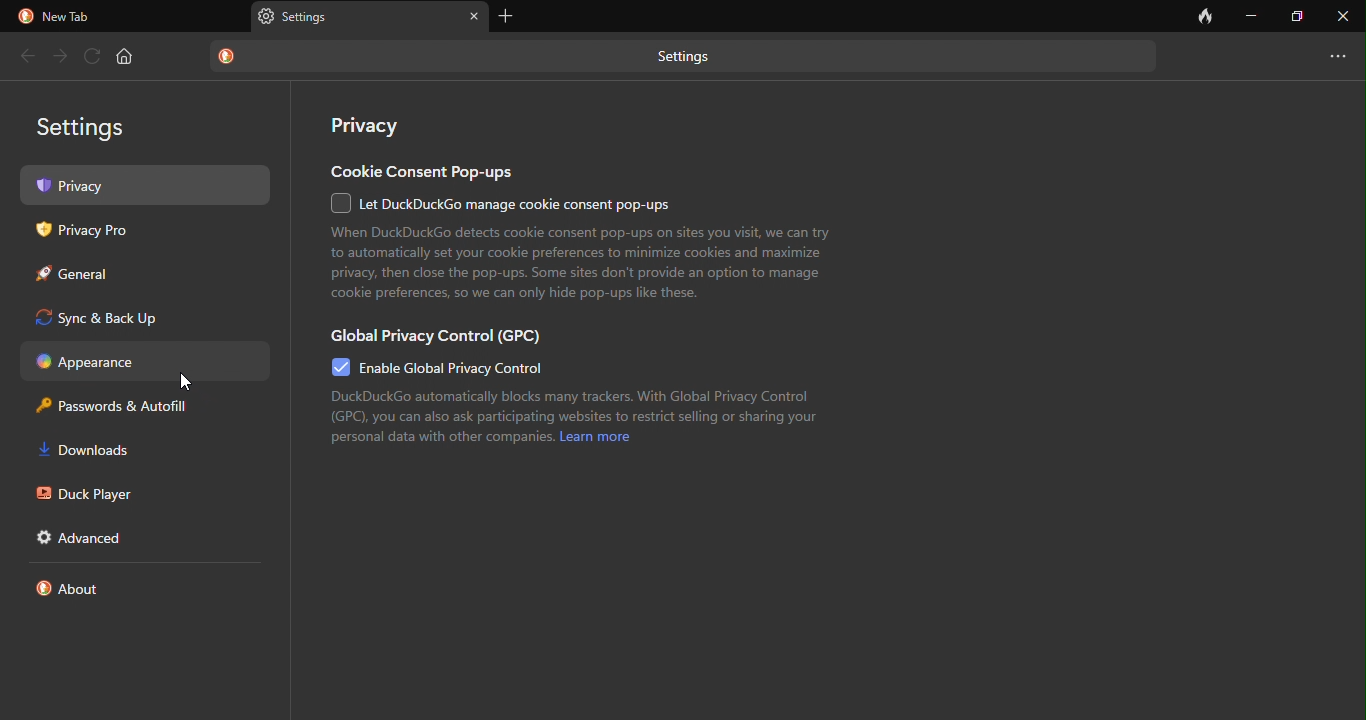 The width and height of the screenshot is (1366, 720). What do you see at coordinates (85, 277) in the screenshot?
I see `general` at bounding box center [85, 277].